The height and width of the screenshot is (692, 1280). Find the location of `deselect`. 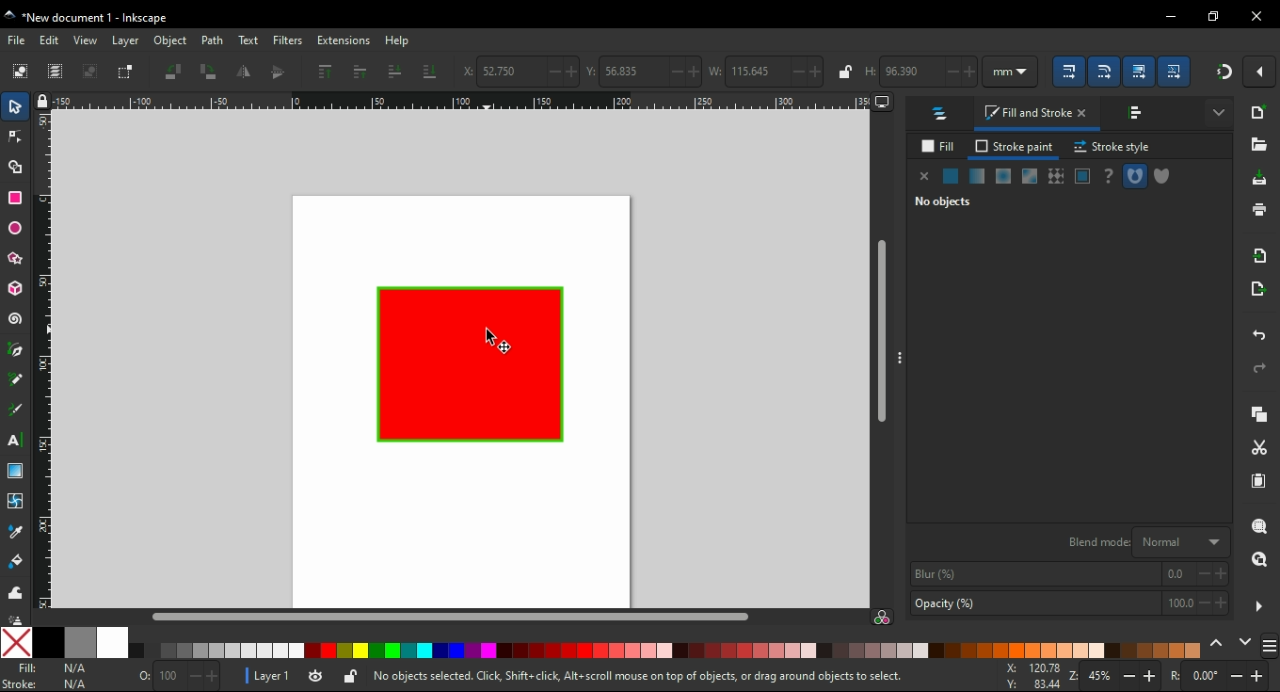

deselect is located at coordinates (90, 71).